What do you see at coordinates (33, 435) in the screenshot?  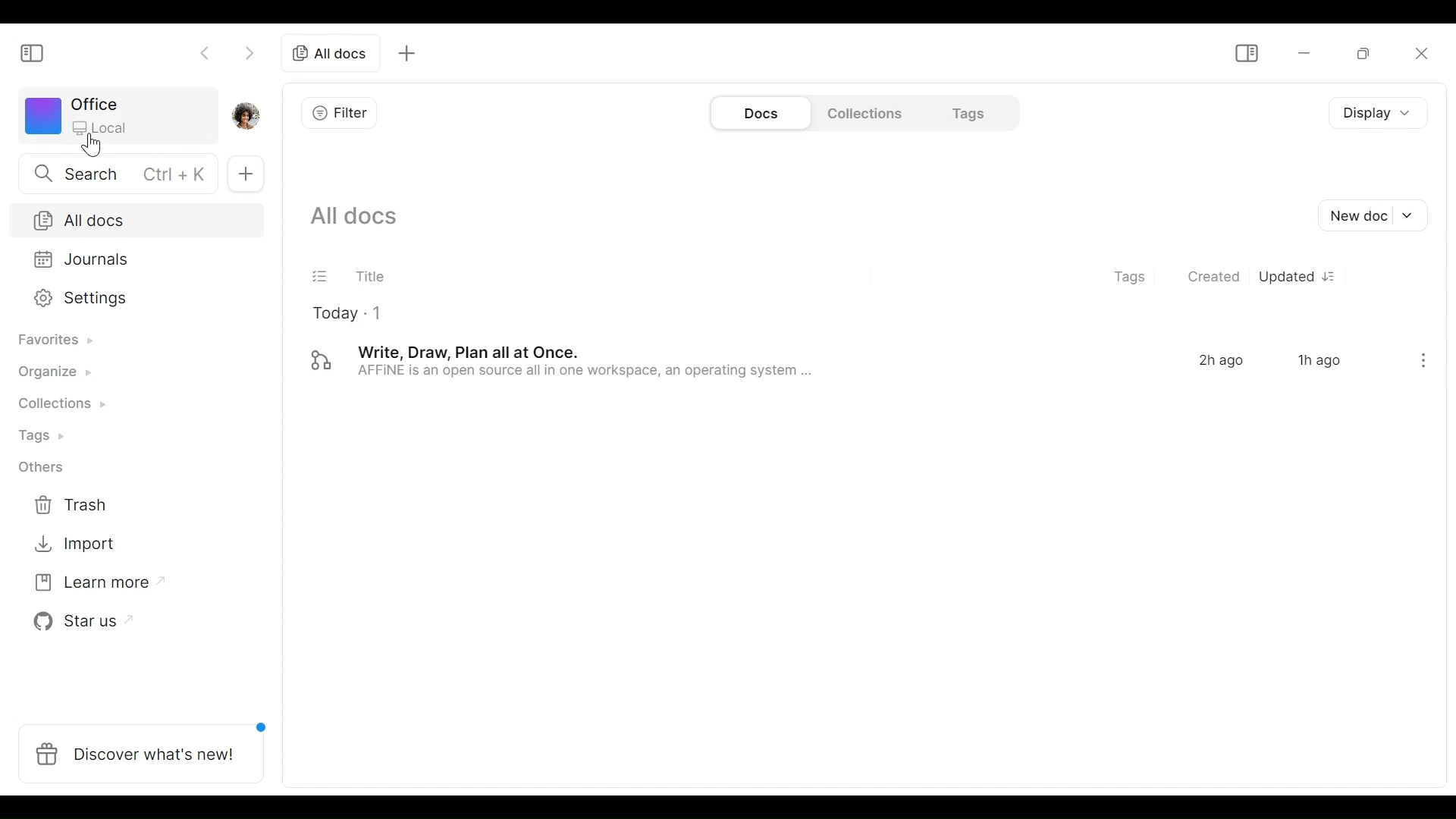 I see `Tags` at bounding box center [33, 435].